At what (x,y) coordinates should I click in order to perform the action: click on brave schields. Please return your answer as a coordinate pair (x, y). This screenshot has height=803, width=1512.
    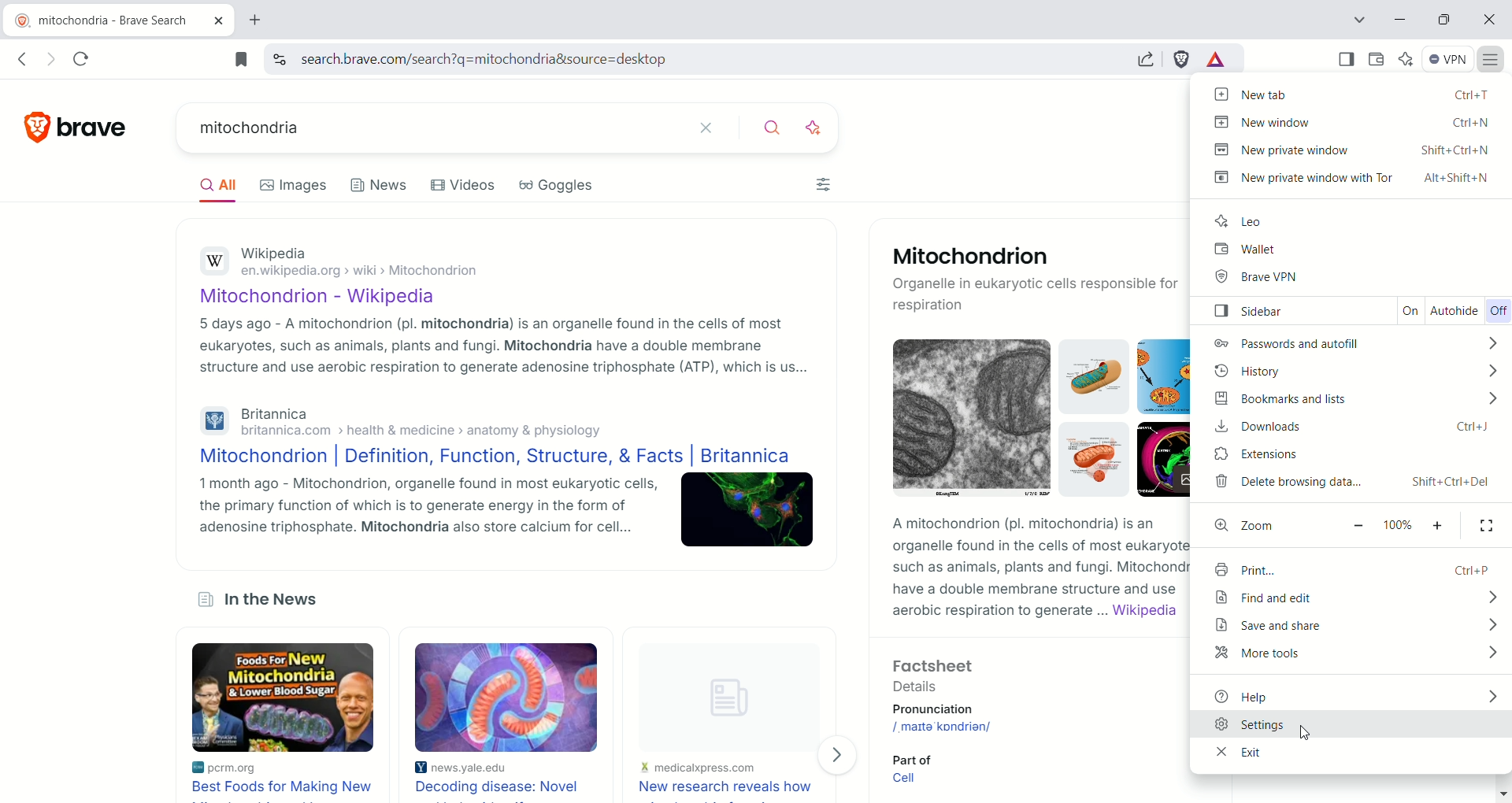
    Looking at the image, I should click on (1182, 58).